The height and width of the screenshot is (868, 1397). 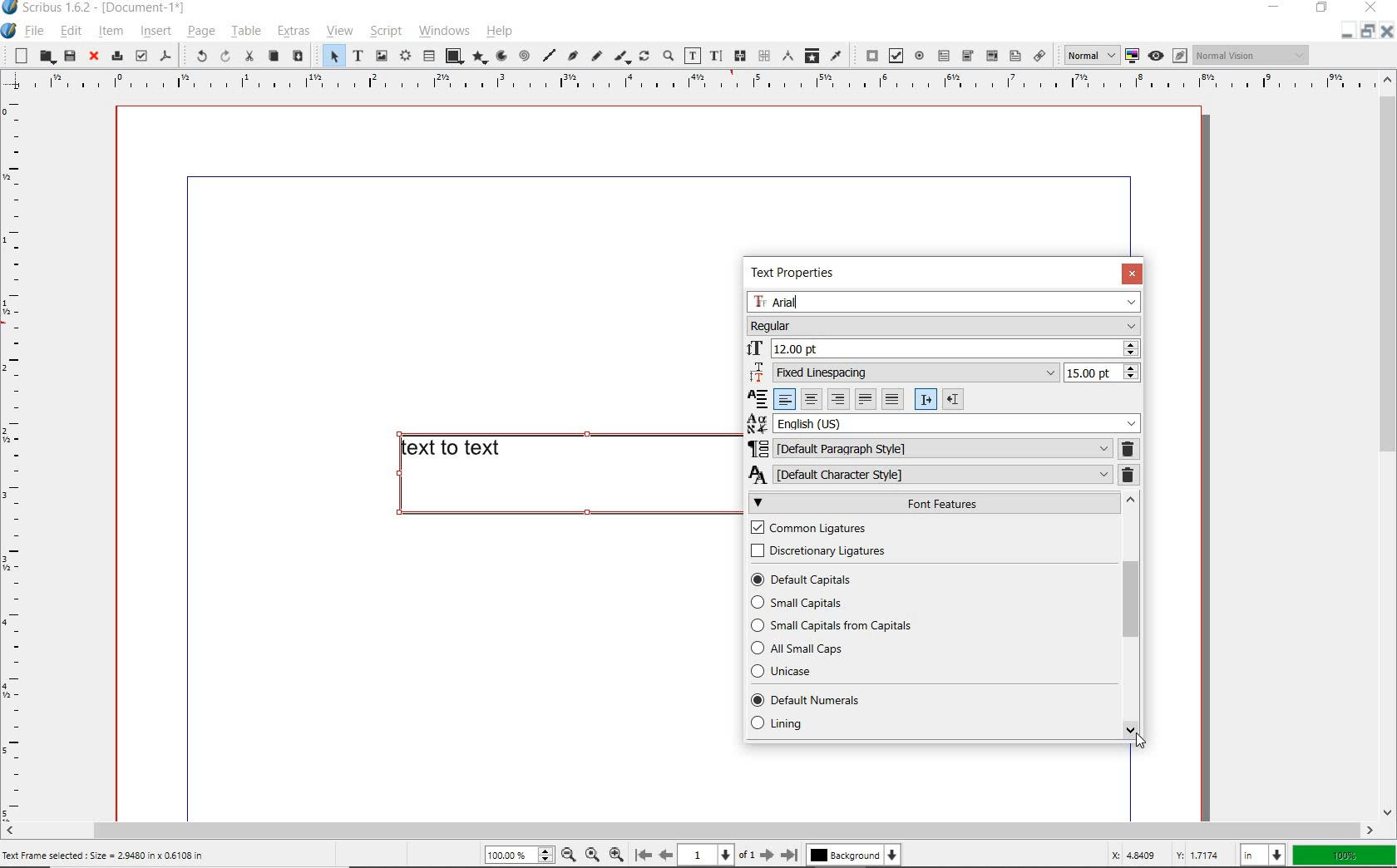 What do you see at coordinates (1131, 274) in the screenshot?
I see `CLOSE` at bounding box center [1131, 274].